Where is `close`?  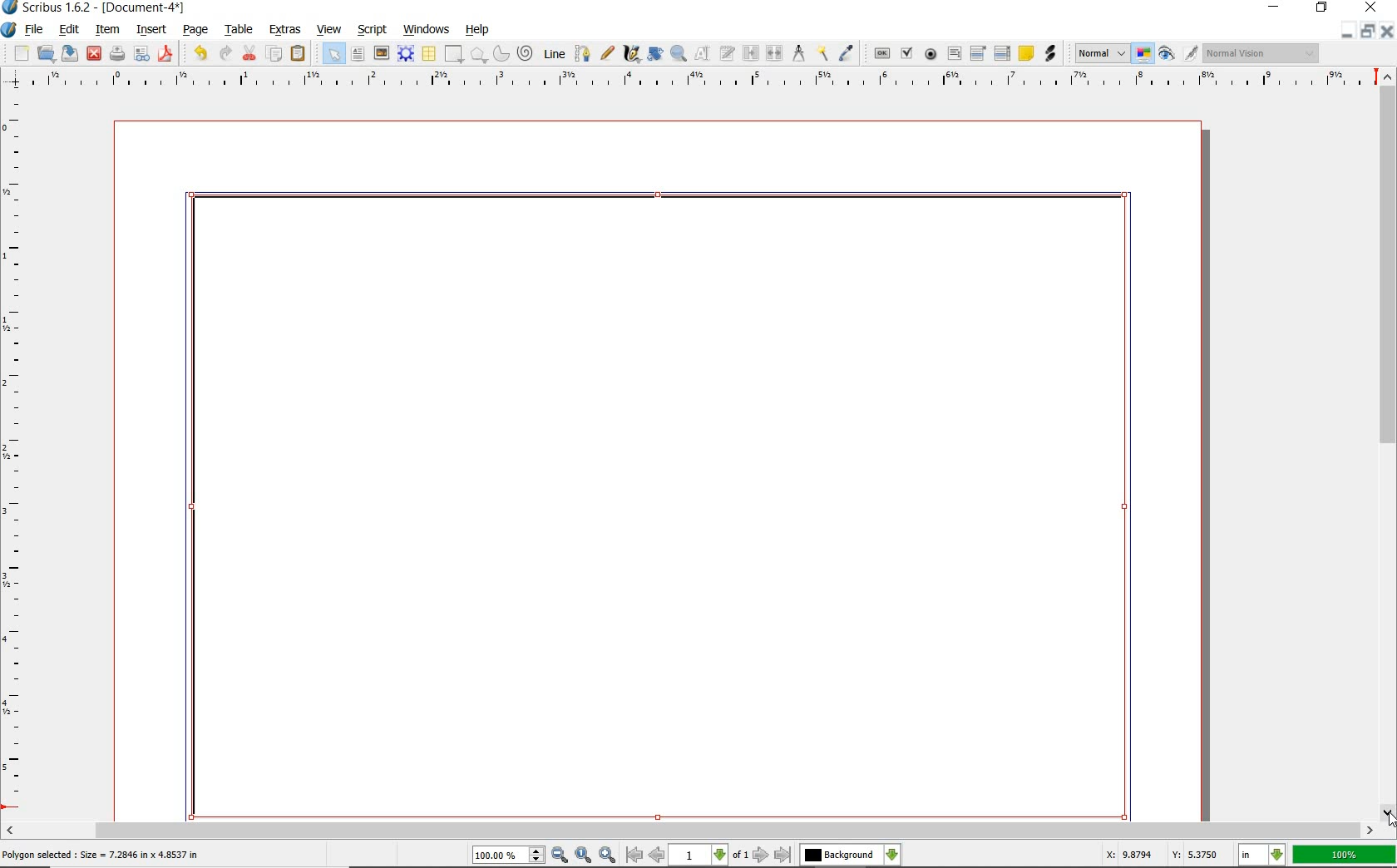 close is located at coordinates (94, 54).